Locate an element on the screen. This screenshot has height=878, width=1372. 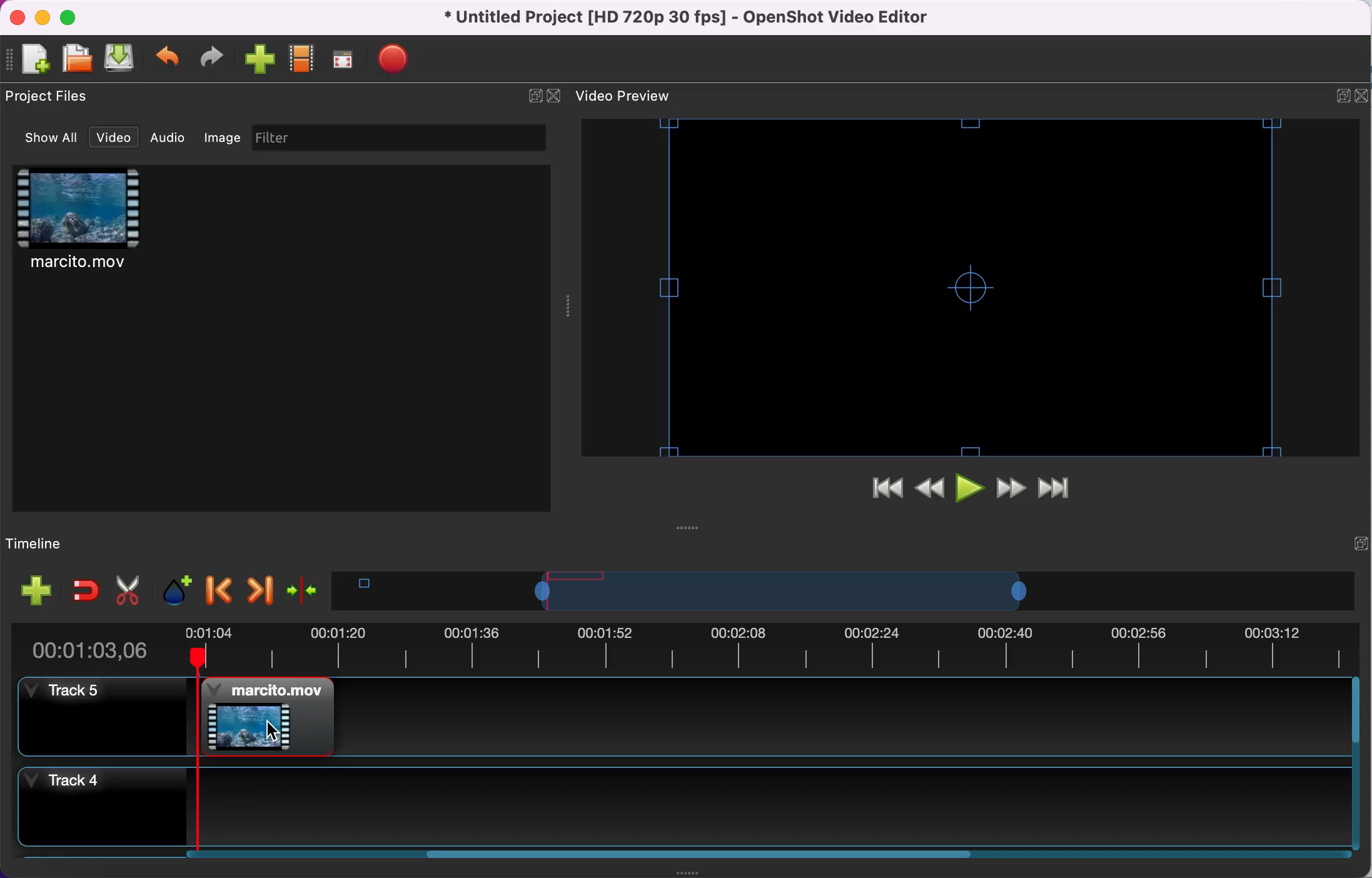
track 4 is located at coordinates (677, 806).